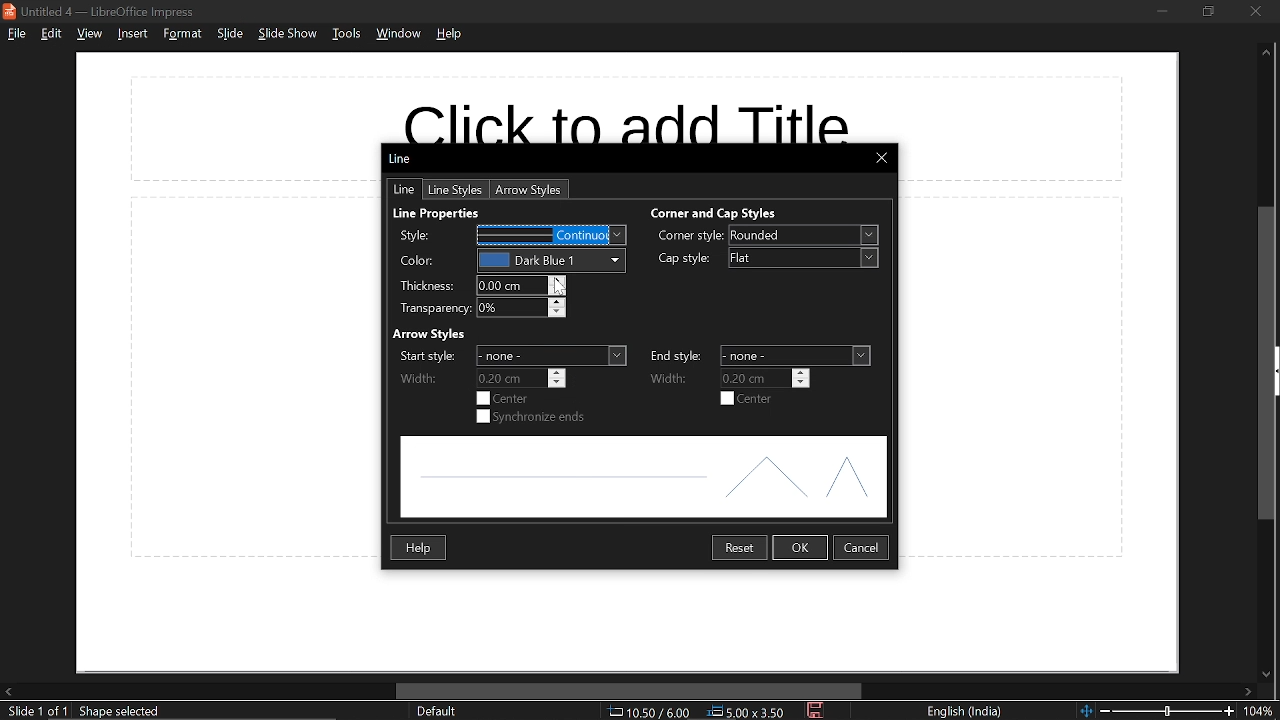 This screenshot has height=720, width=1280. Describe the element at coordinates (552, 235) in the screenshot. I see `style` at that location.